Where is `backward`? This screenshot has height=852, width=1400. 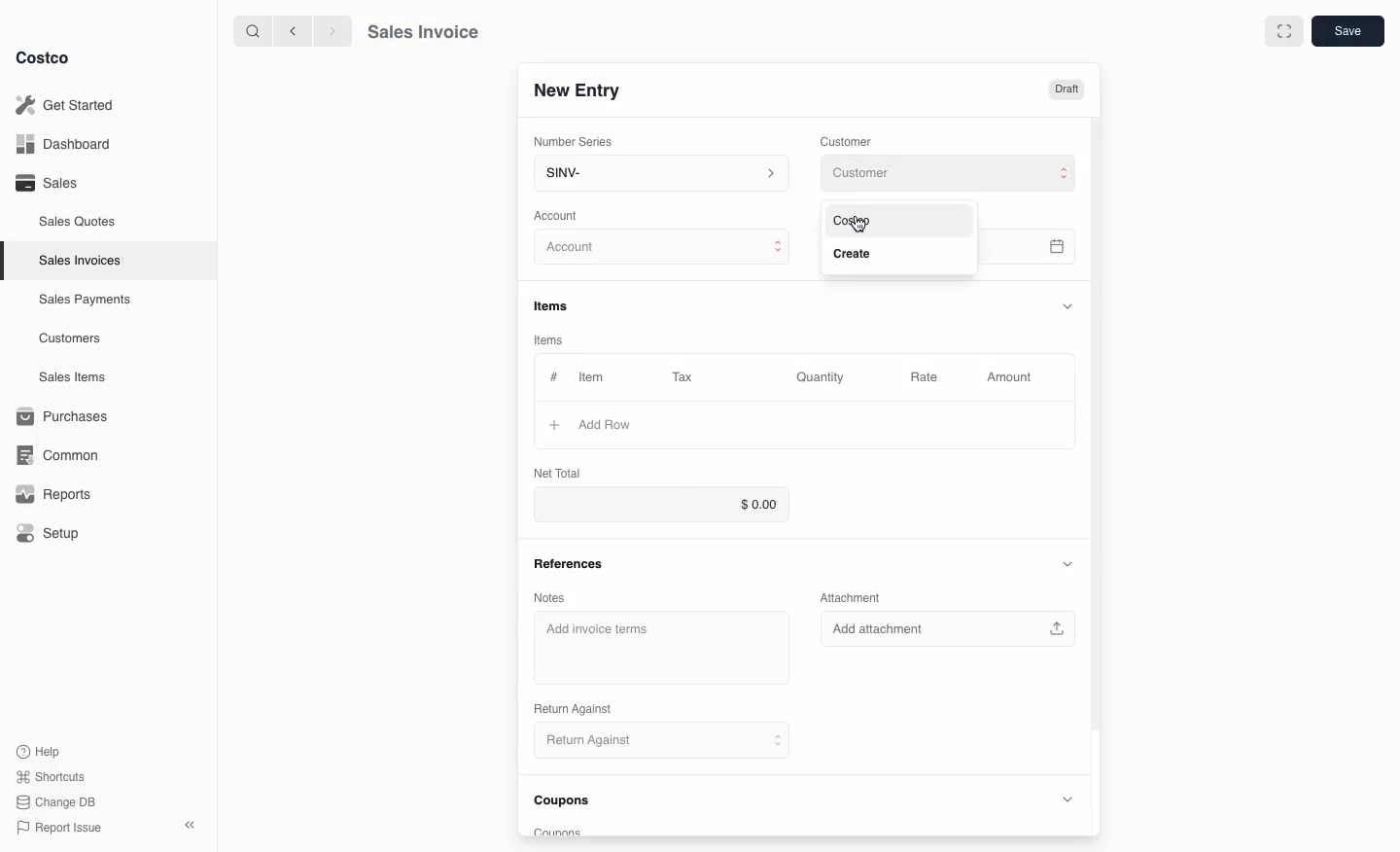
backward is located at coordinates (289, 30).